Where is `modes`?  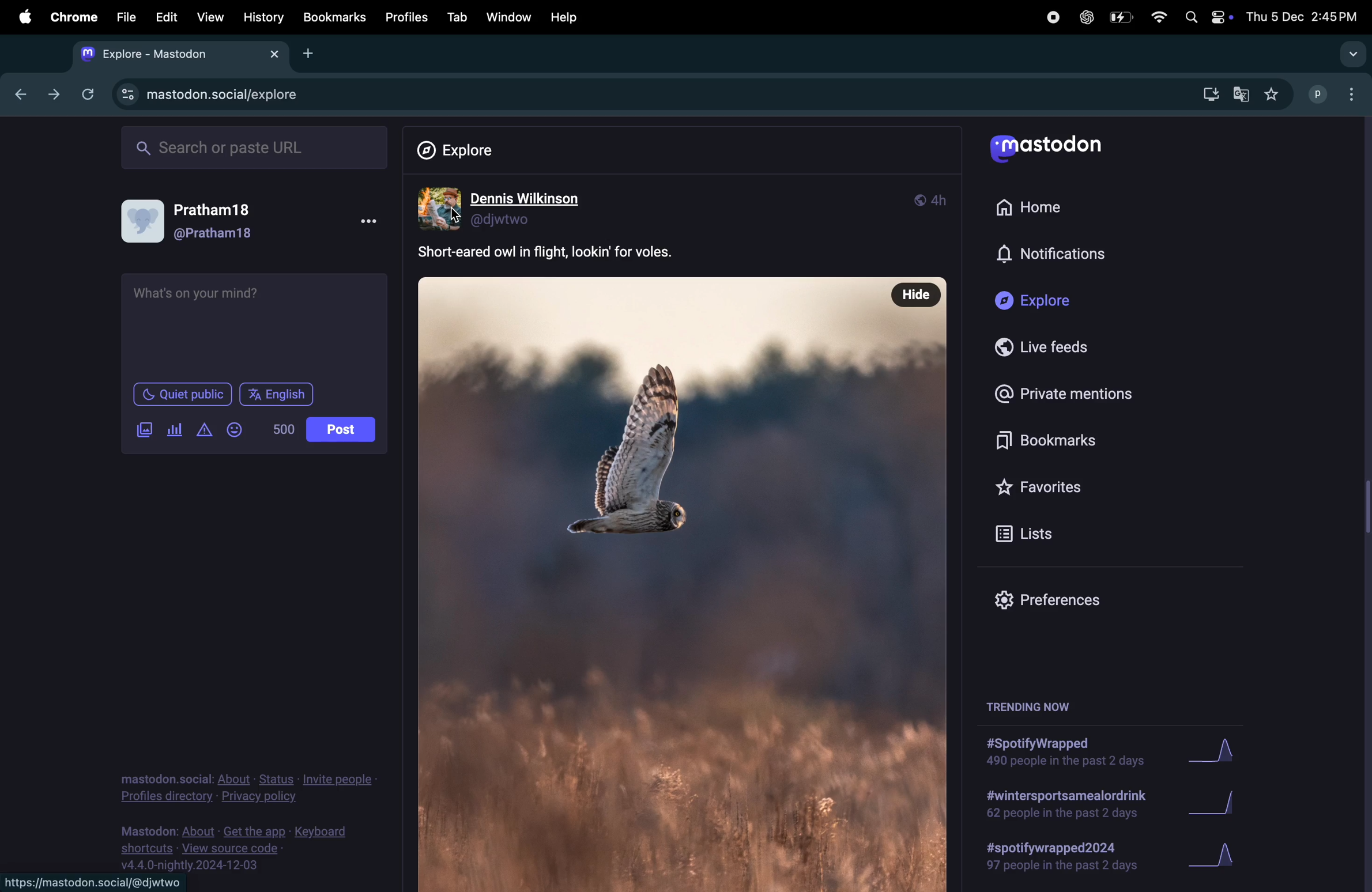 modes is located at coordinates (933, 200).